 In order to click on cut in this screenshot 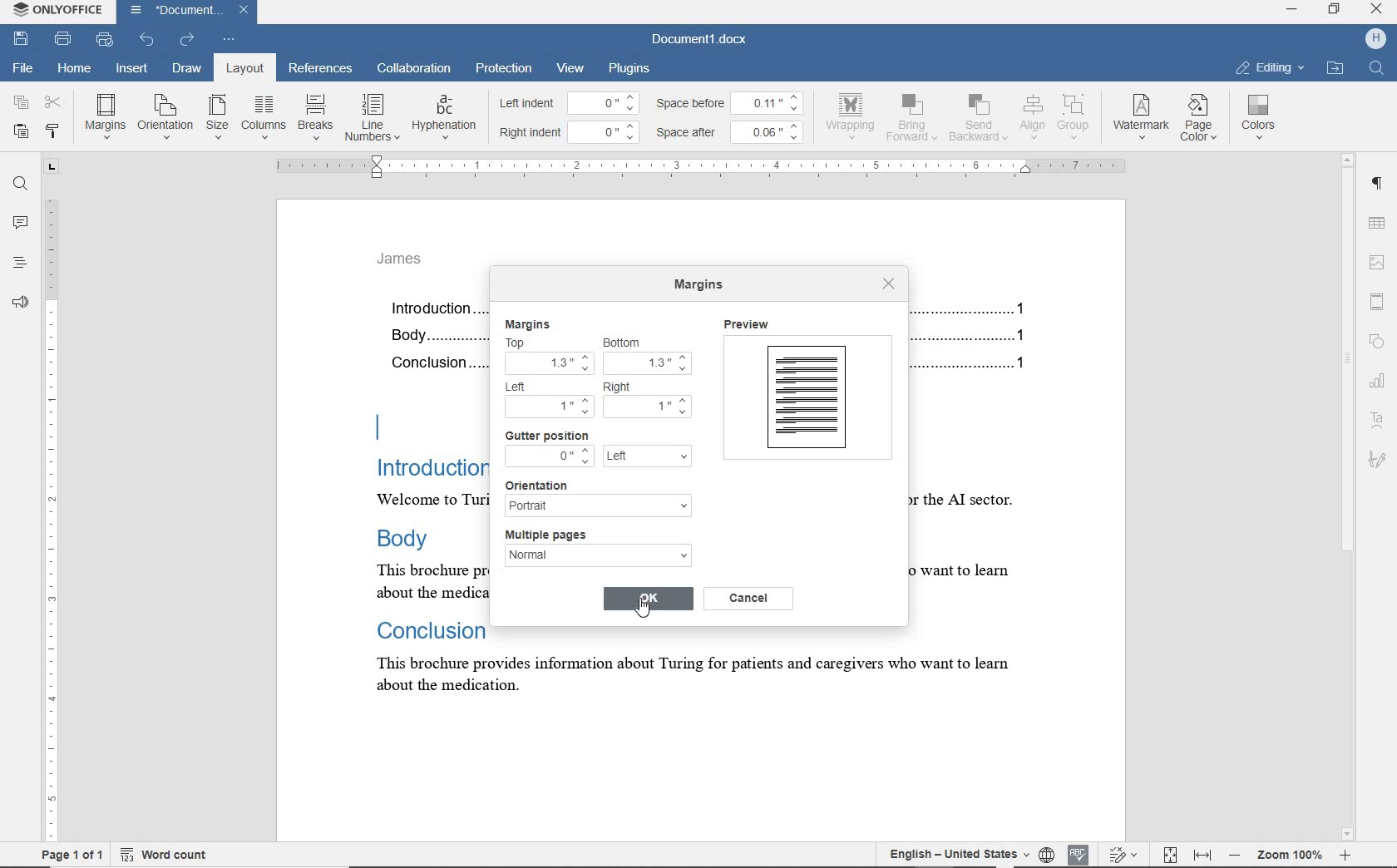, I will do `click(54, 101)`.